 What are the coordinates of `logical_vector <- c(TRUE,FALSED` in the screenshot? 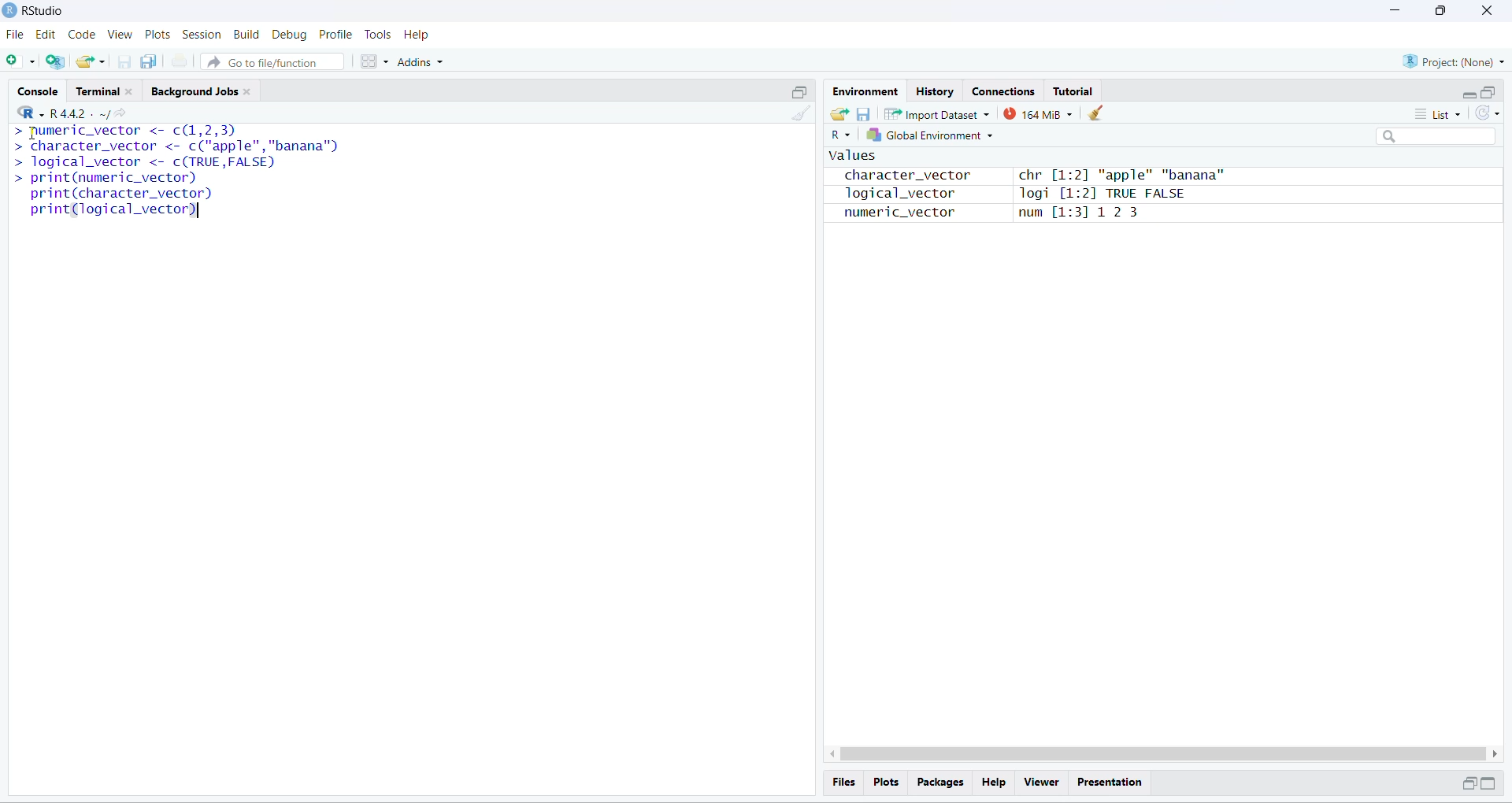 It's located at (143, 162).